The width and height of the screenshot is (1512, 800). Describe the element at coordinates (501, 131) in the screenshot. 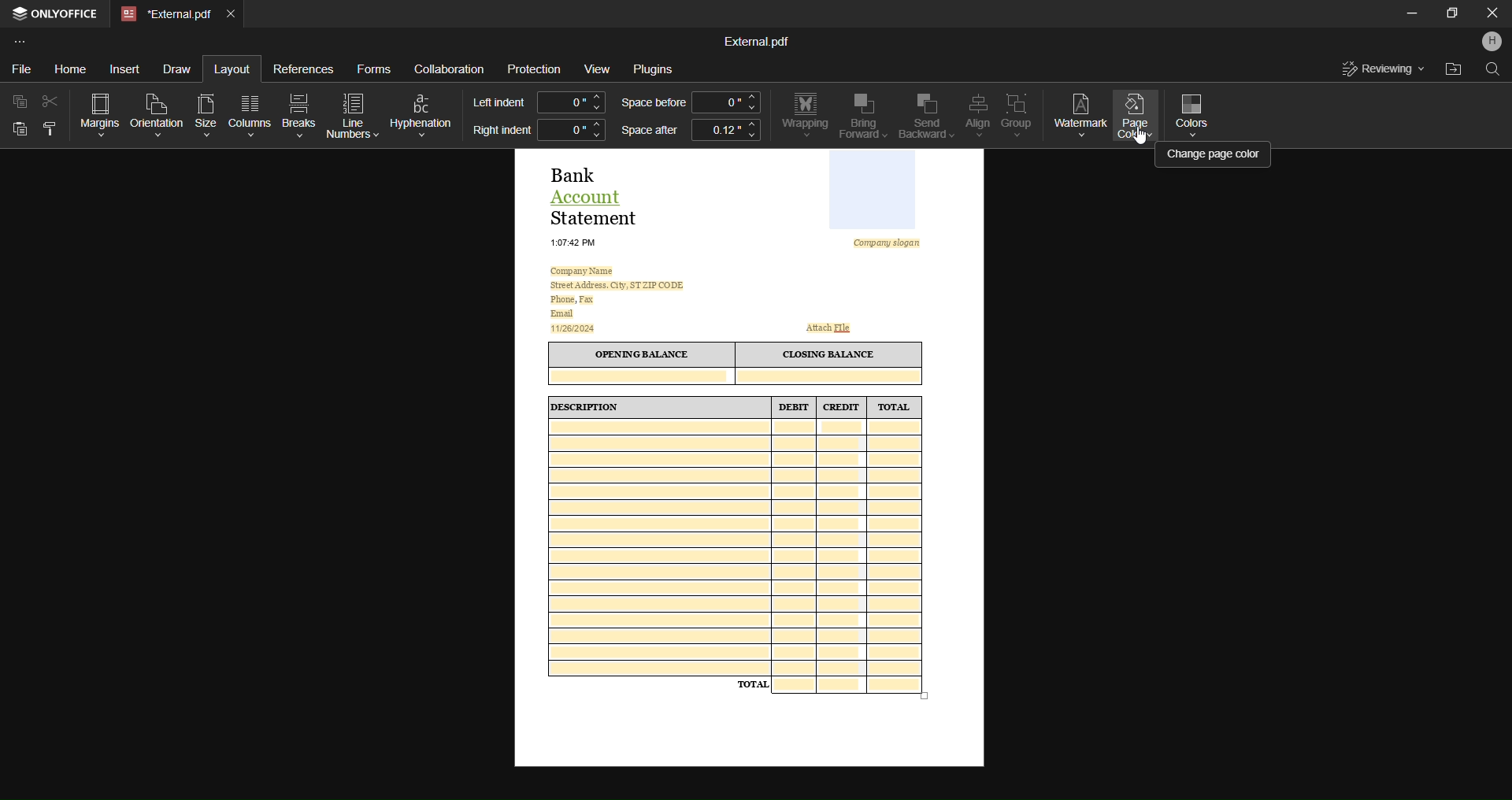

I see `Right Indent` at that location.